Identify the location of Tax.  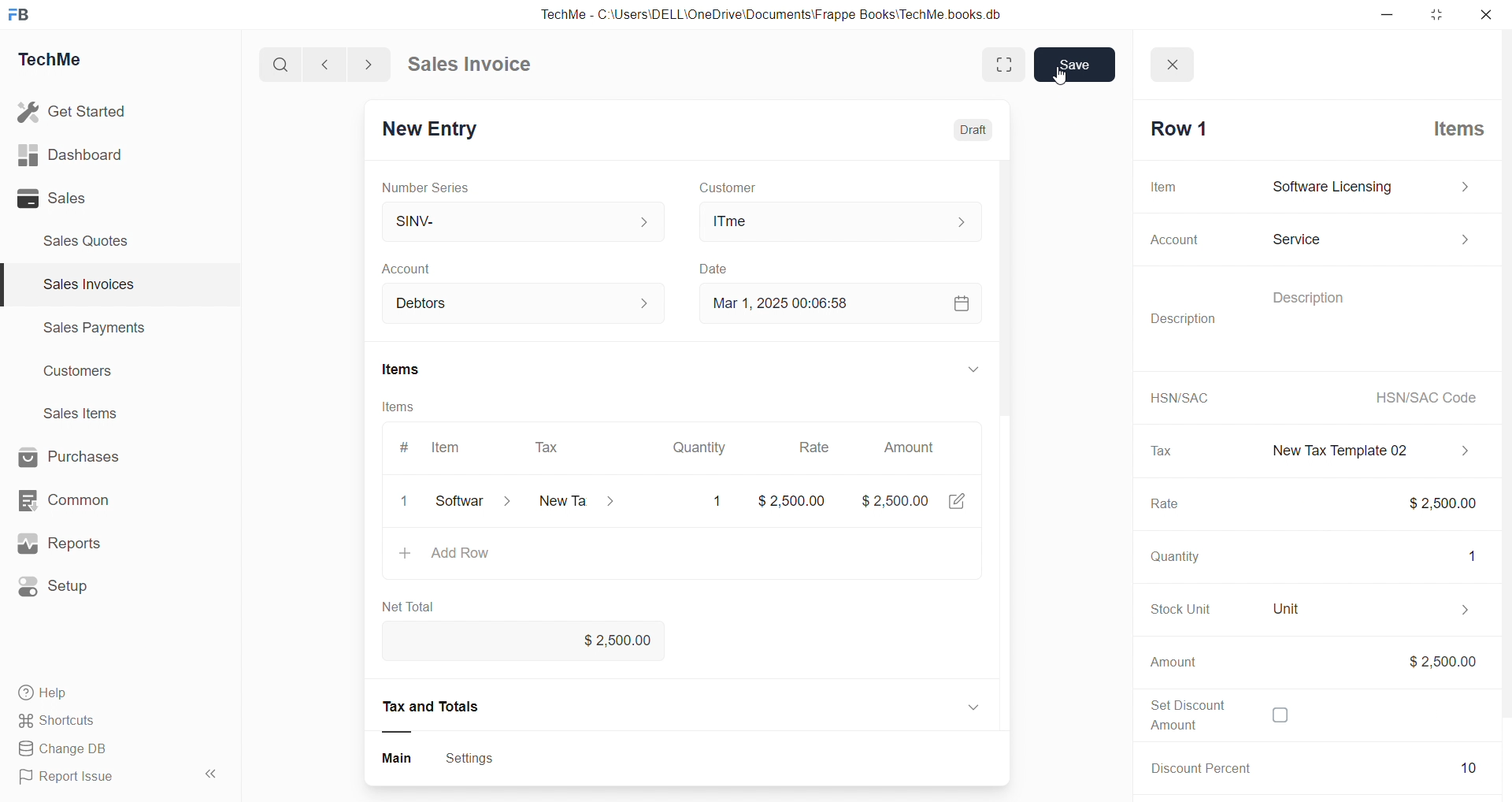
(1159, 451).